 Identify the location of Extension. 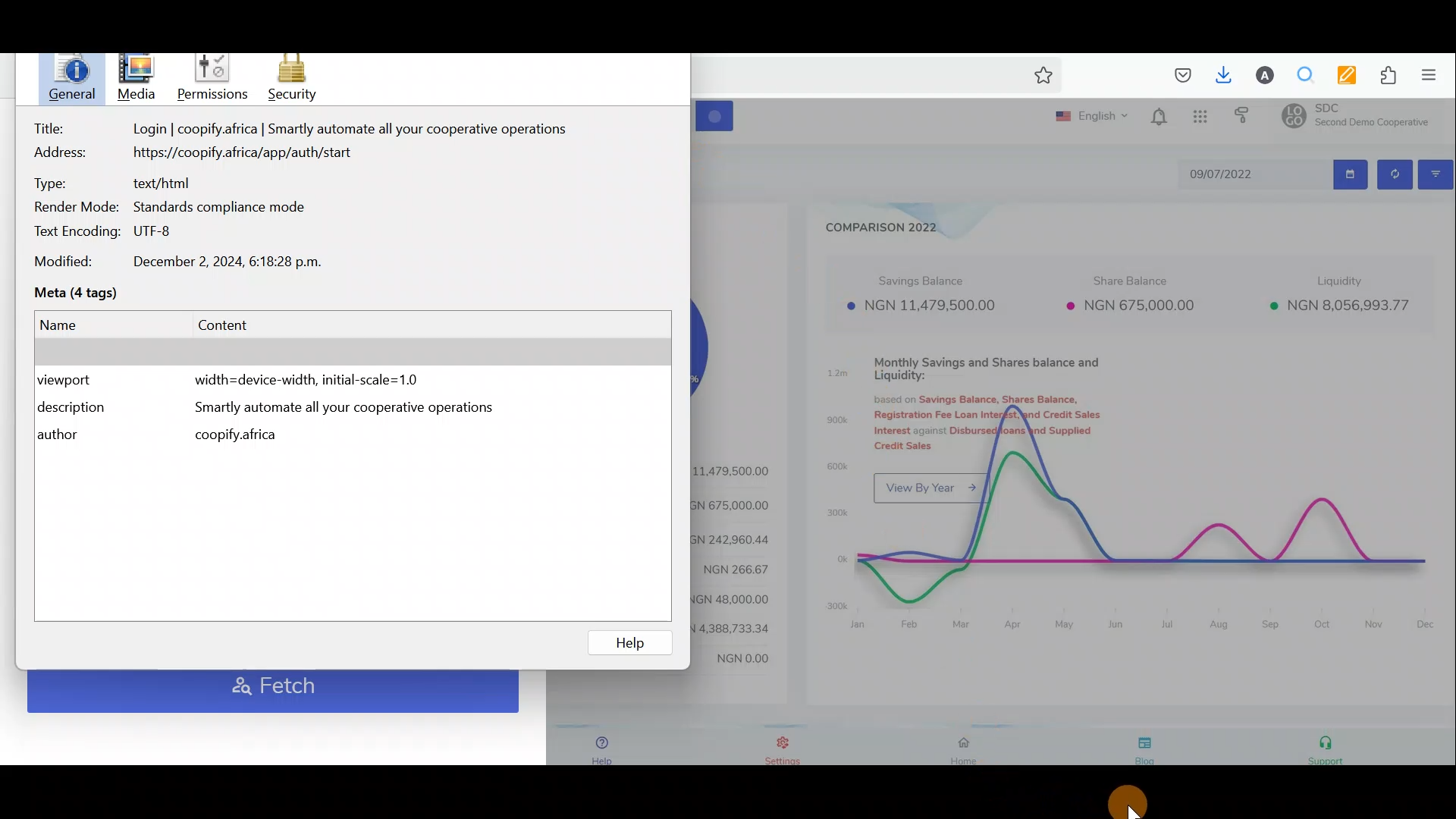
(1382, 76).